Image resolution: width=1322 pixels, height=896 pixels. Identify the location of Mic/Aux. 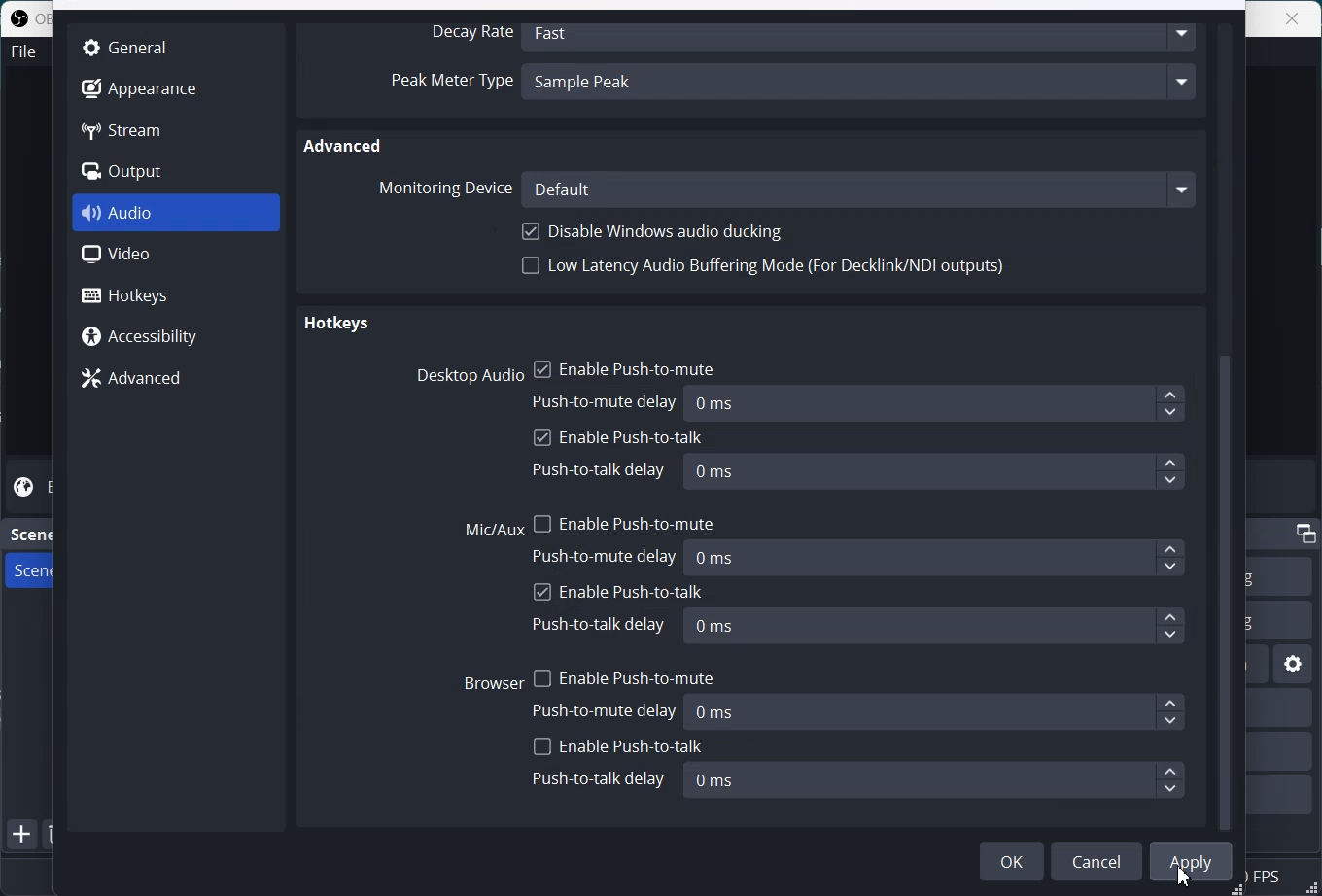
(495, 531).